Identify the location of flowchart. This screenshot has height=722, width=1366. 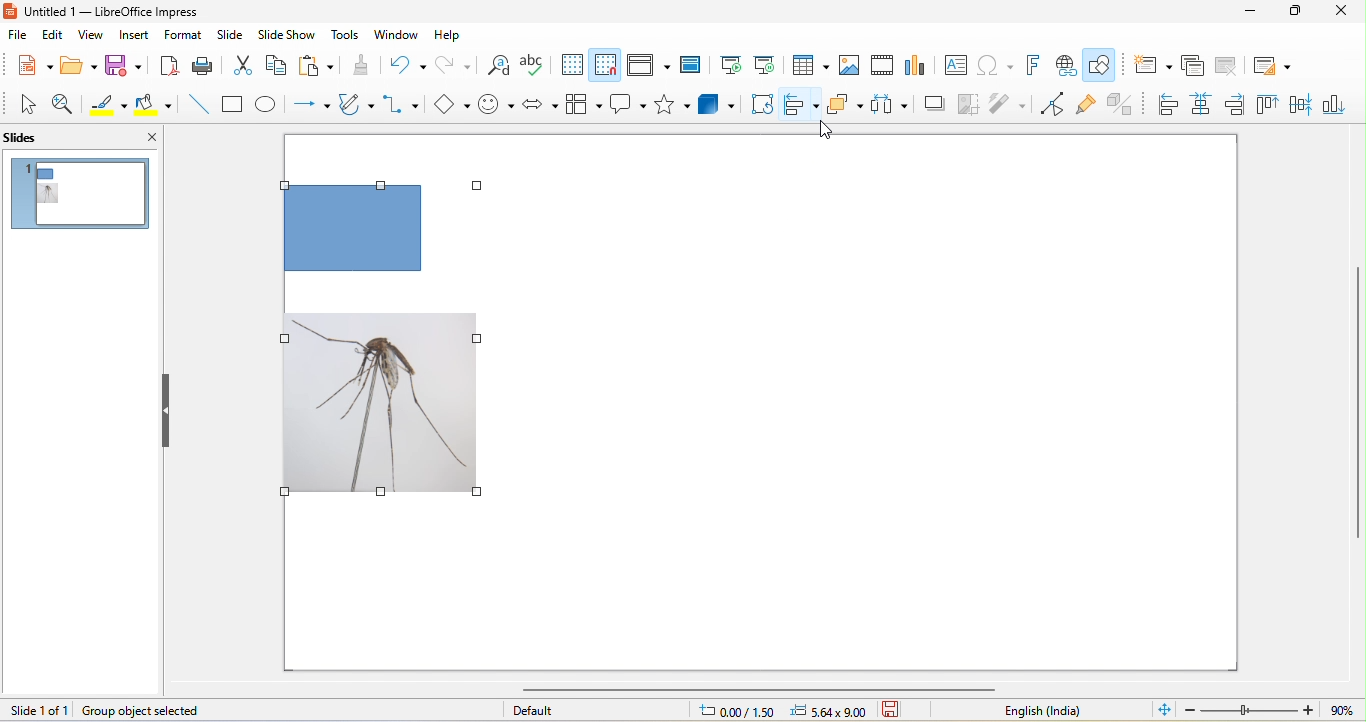
(584, 106).